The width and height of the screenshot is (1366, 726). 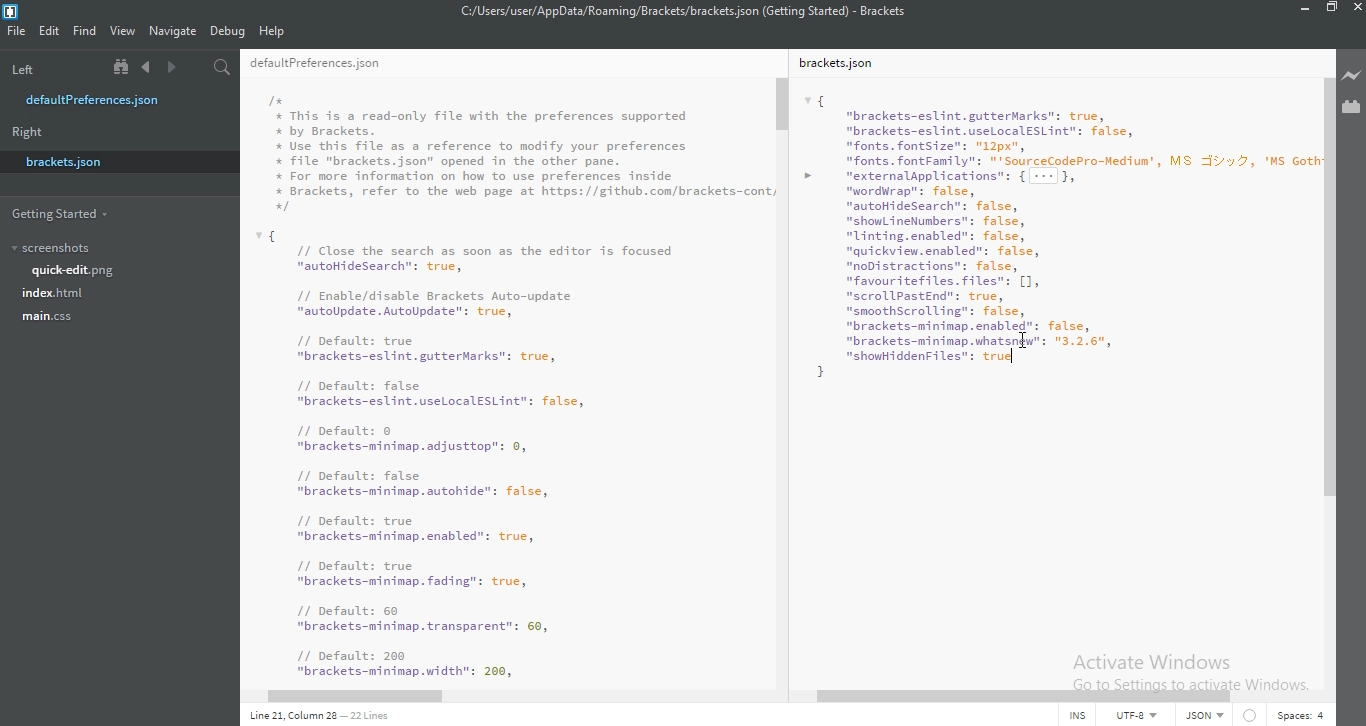 What do you see at coordinates (13, 10) in the screenshot?
I see `Logo` at bounding box center [13, 10].